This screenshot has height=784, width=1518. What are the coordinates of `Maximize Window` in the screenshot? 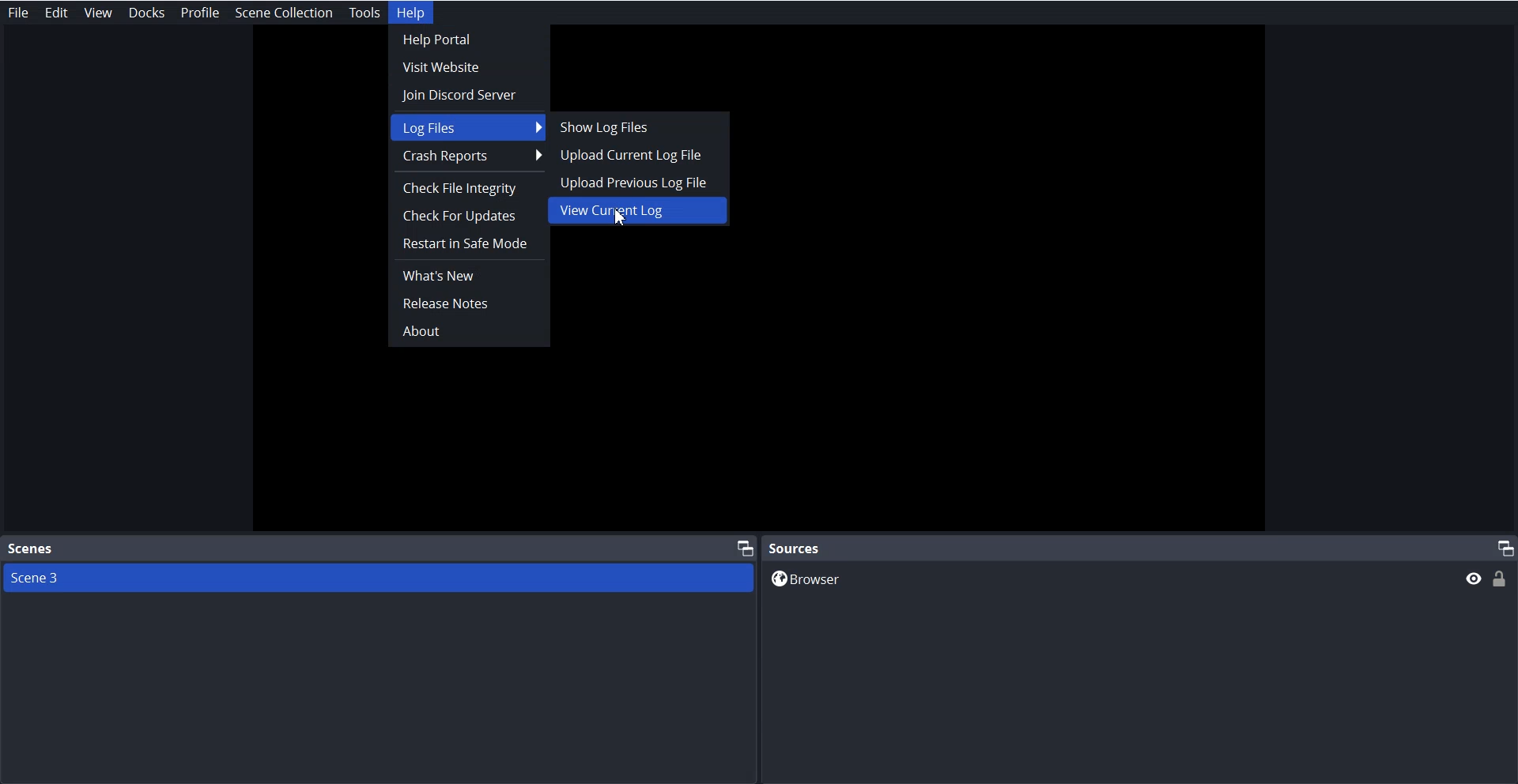 It's located at (1499, 548).